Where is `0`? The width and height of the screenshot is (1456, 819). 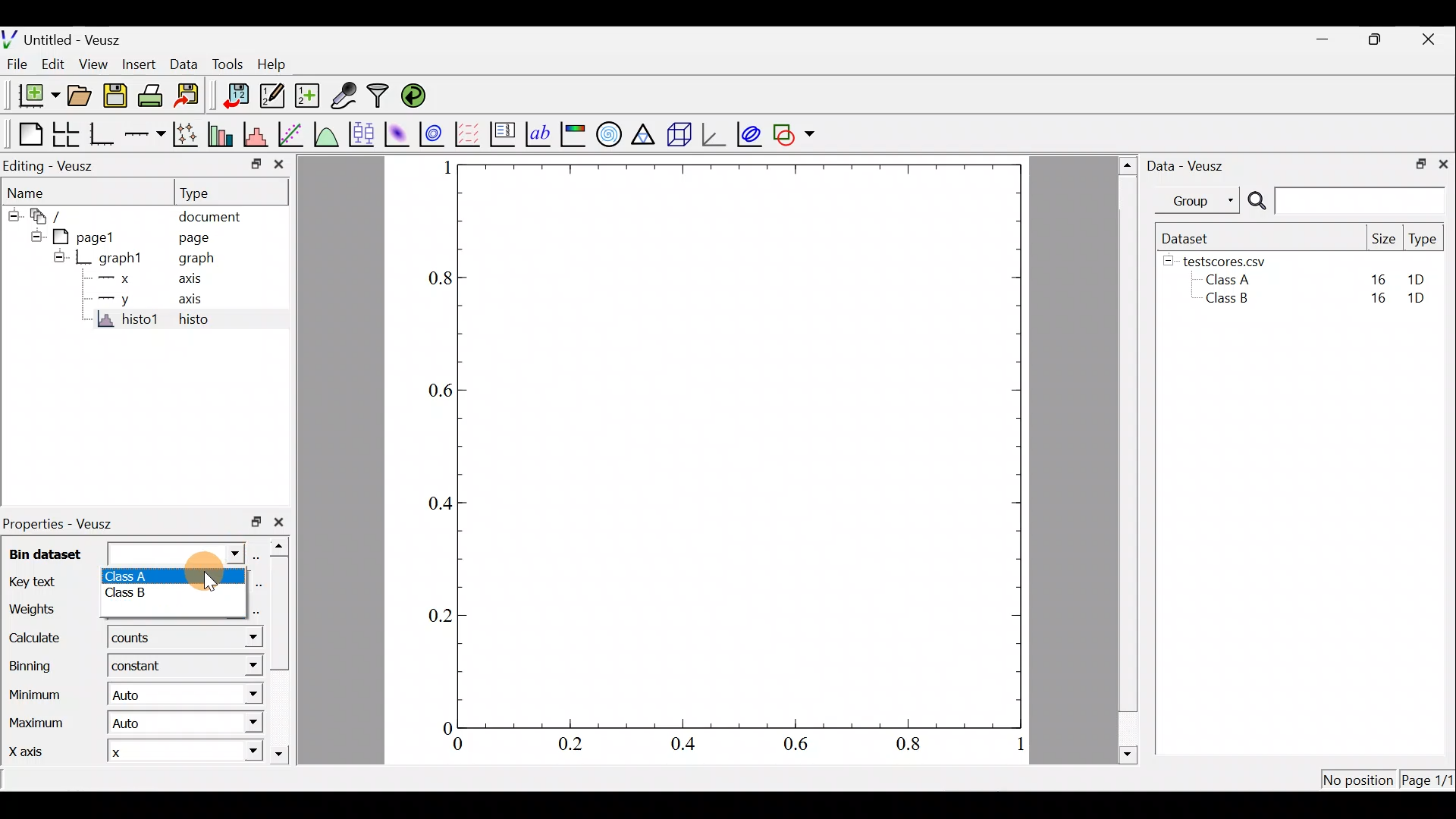 0 is located at coordinates (441, 725).